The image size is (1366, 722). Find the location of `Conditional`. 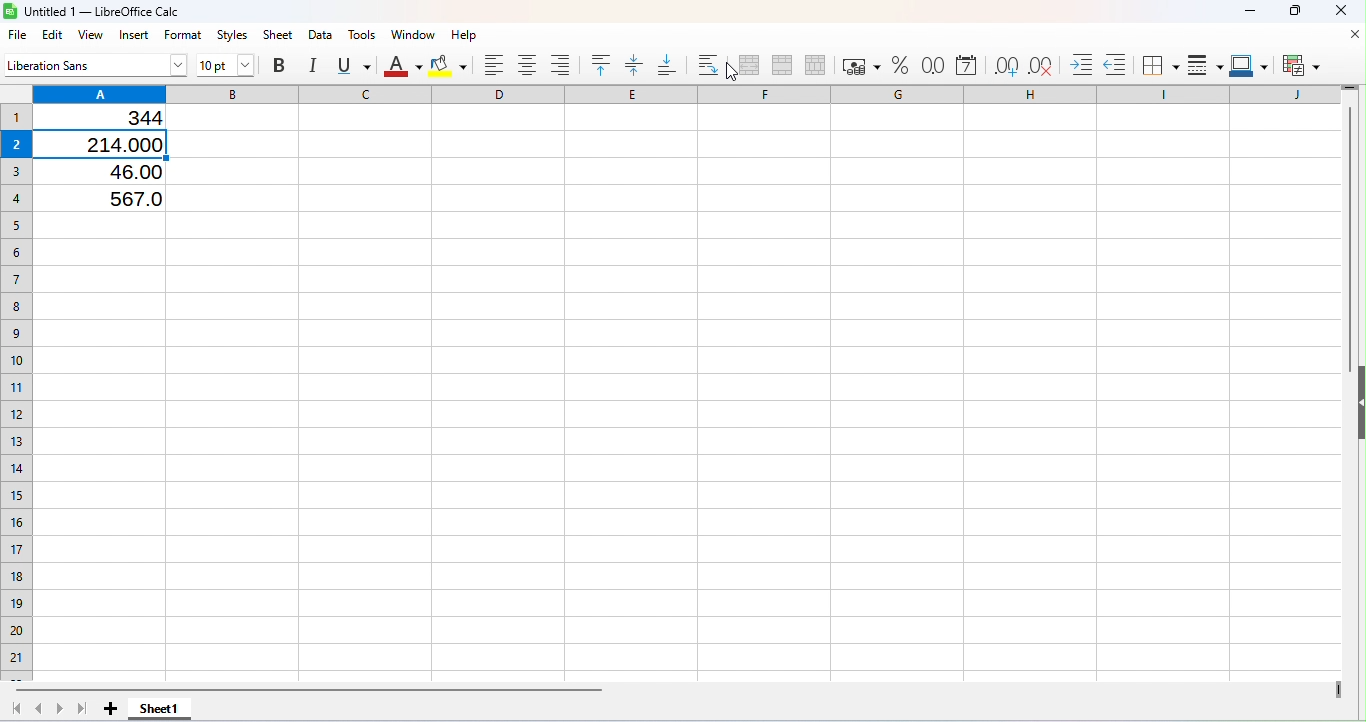

Conditional is located at coordinates (1300, 64).